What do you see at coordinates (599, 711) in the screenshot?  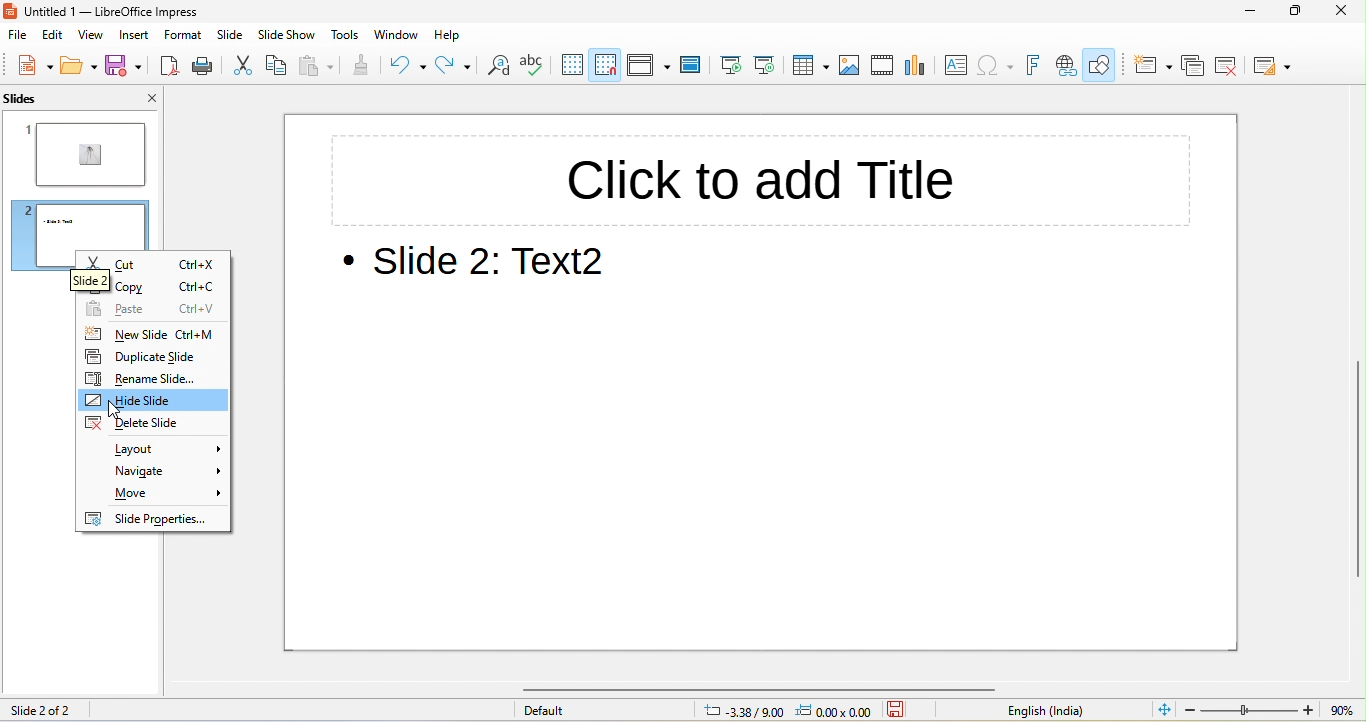 I see `default` at bounding box center [599, 711].